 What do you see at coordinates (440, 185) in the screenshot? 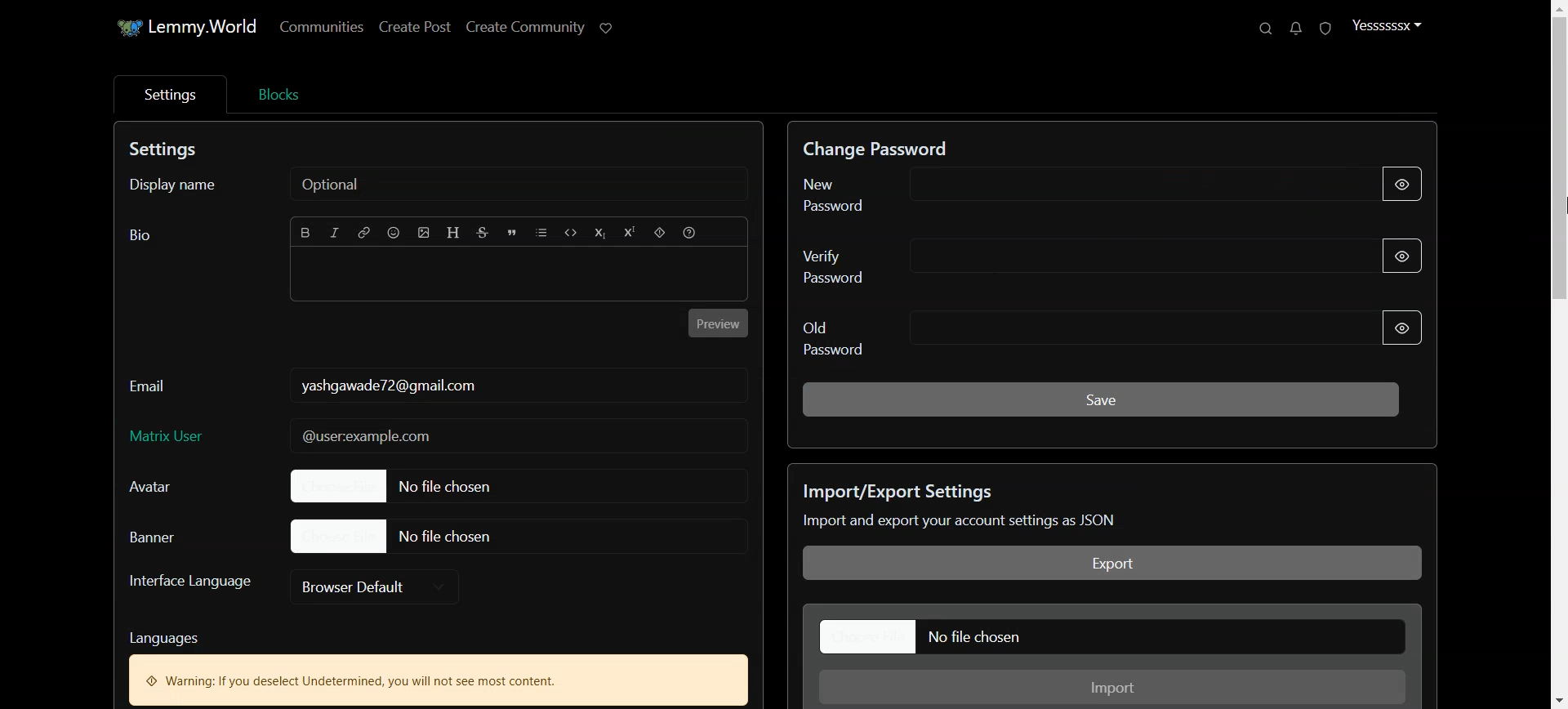
I see `Display name` at bounding box center [440, 185].